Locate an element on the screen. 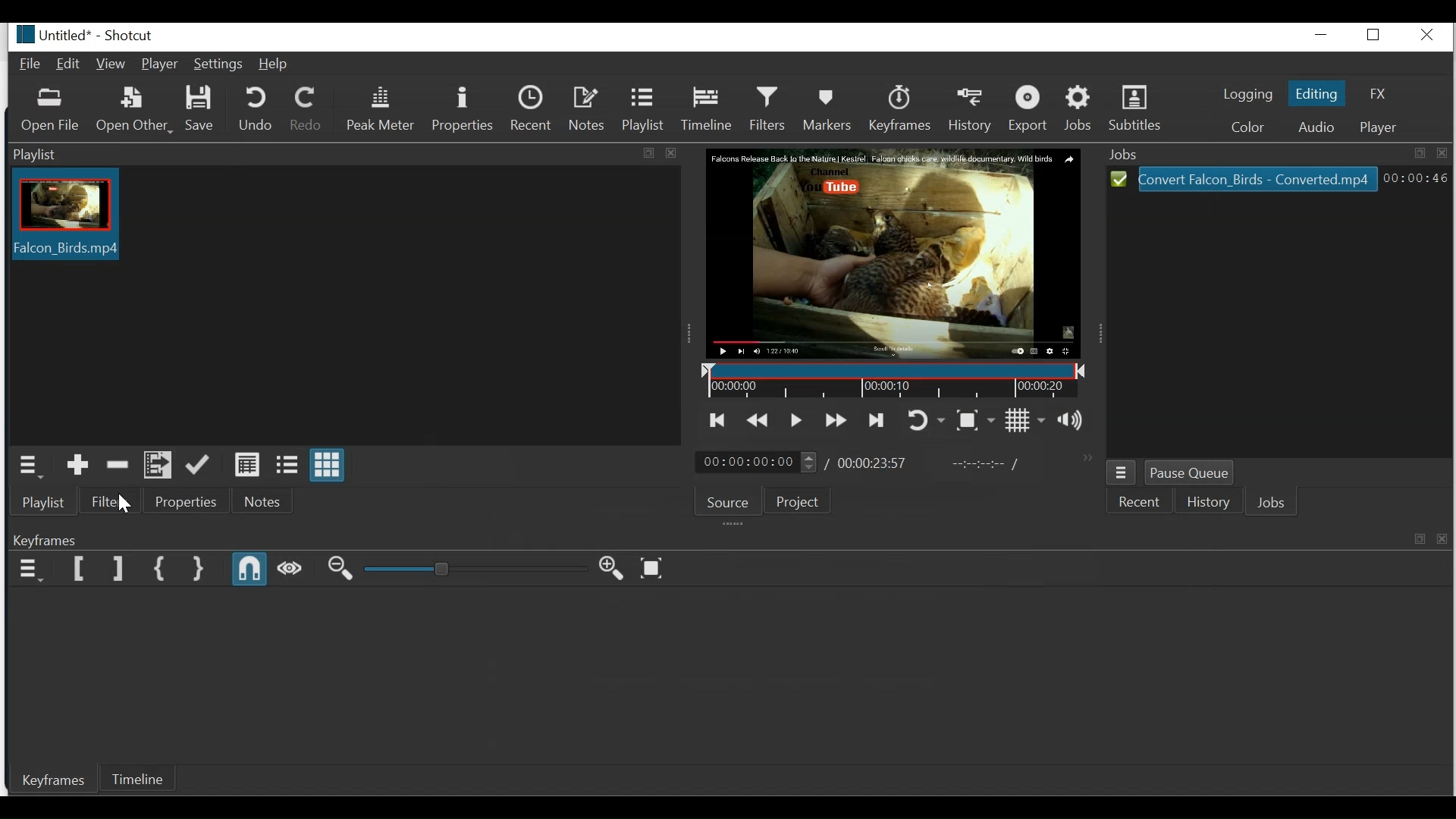 This screenshot has width=1456, height=819. Play quickly backward is located at coordinates (757, 421).